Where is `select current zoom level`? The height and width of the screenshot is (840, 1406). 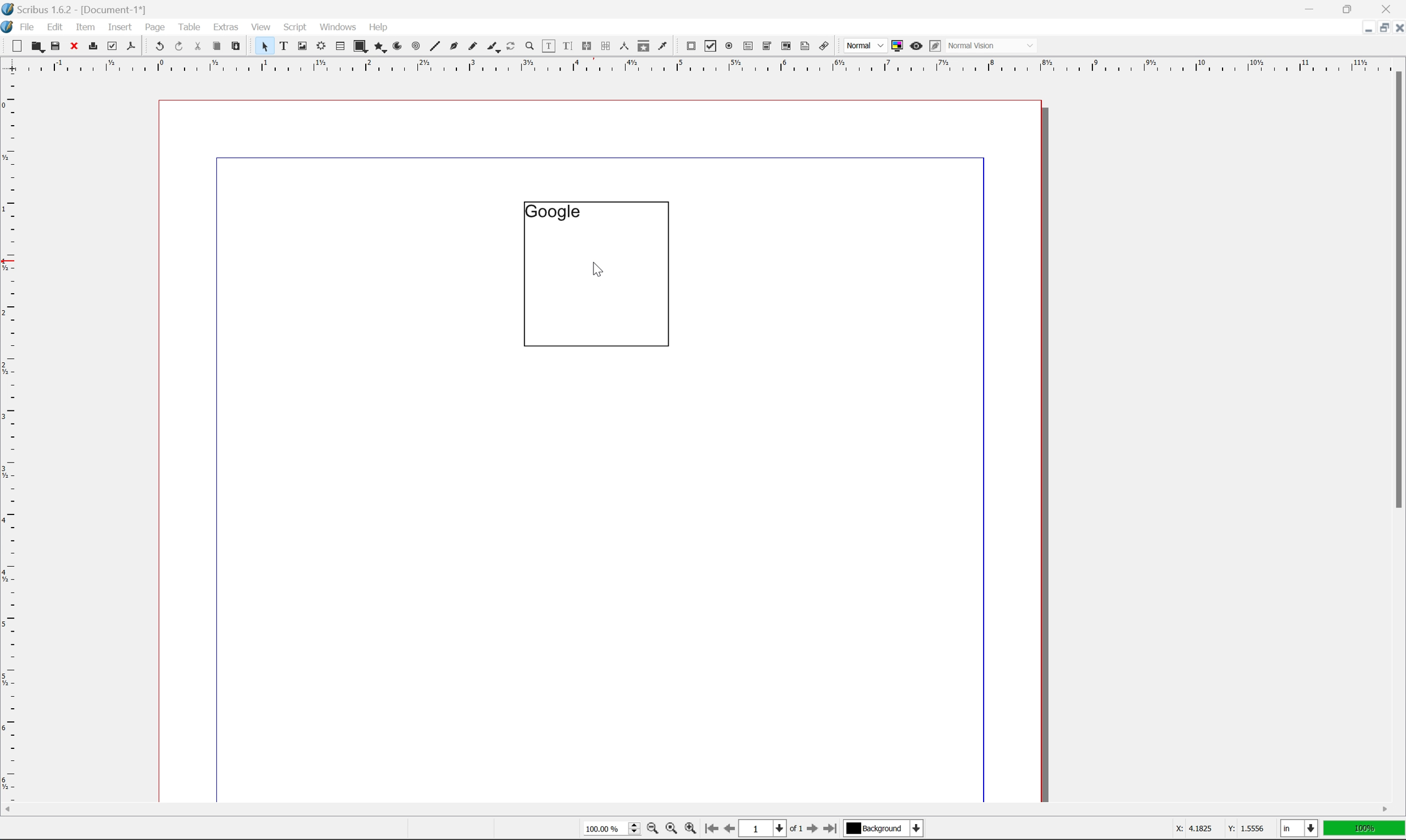
select current zoom level is located at coordinates (612, 828).